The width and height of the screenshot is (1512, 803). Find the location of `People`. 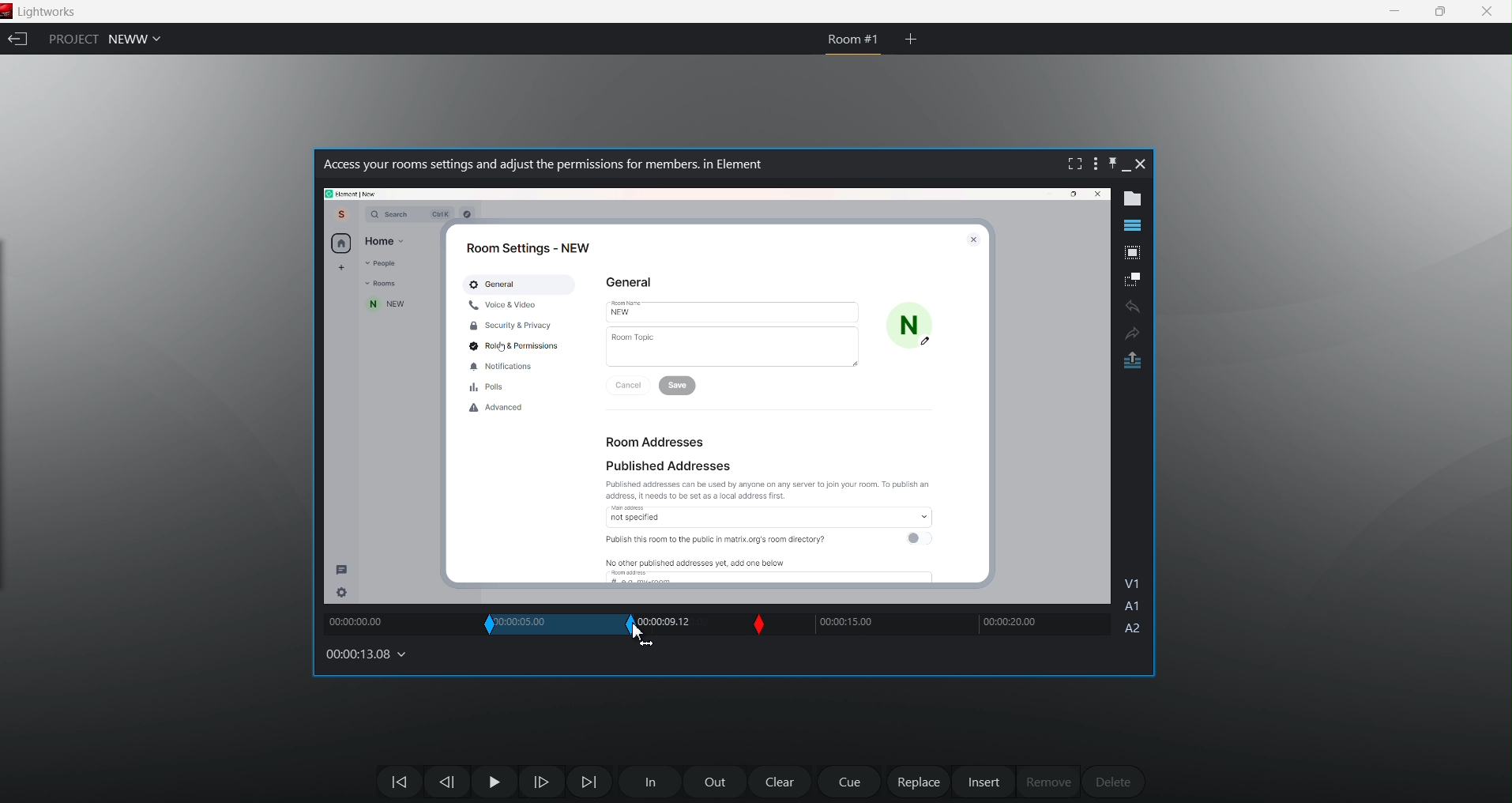

People is located at coordinates (382, 263).